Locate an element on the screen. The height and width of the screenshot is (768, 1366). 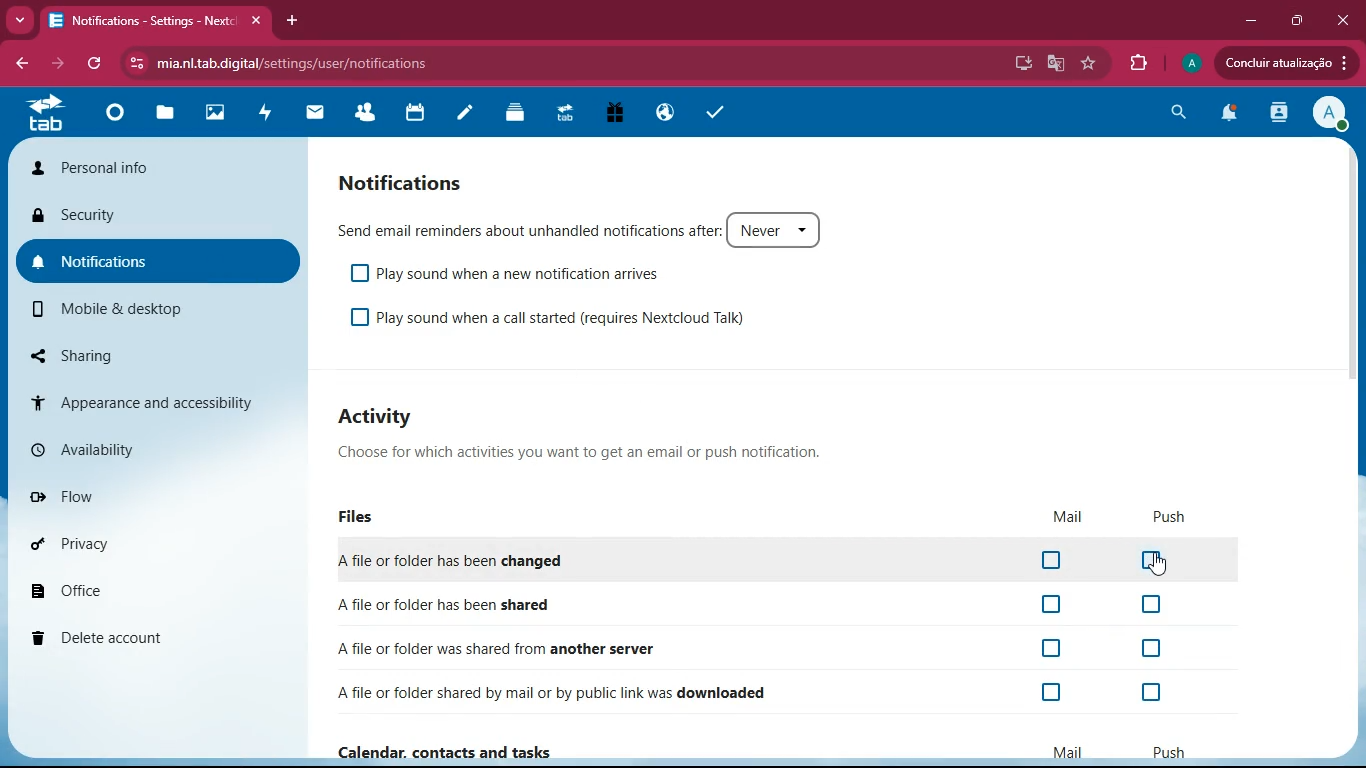
friends is located at coordinates (366, 112).